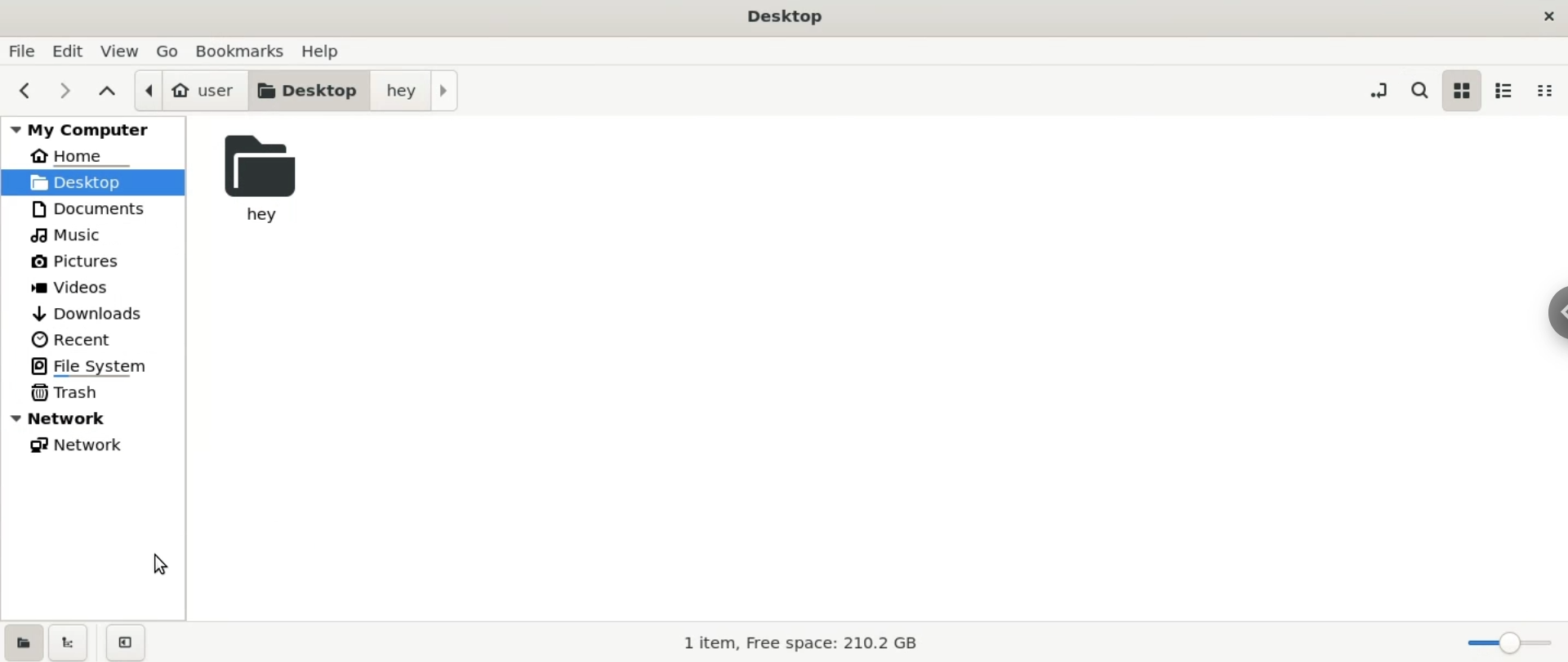 The height and width of the screenshot is (662, 1568). What do you see at coordinates (162, 564) in the screenshot?
I see `cursor` at bounding box center [162, 564].